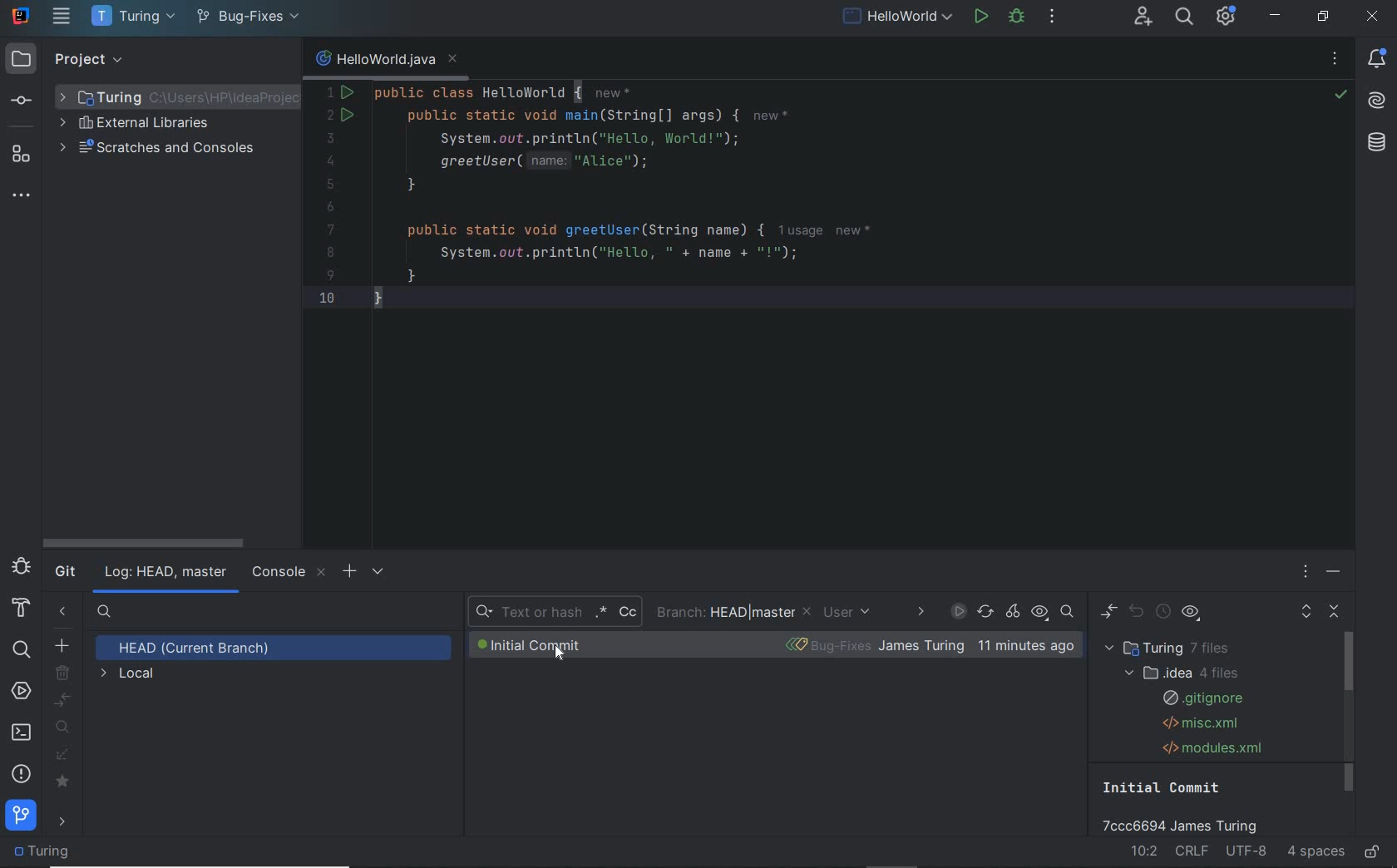  What do you see at coordinates (331, 229) in the screenshot?
I see `7` at bounding box center [331, 229].